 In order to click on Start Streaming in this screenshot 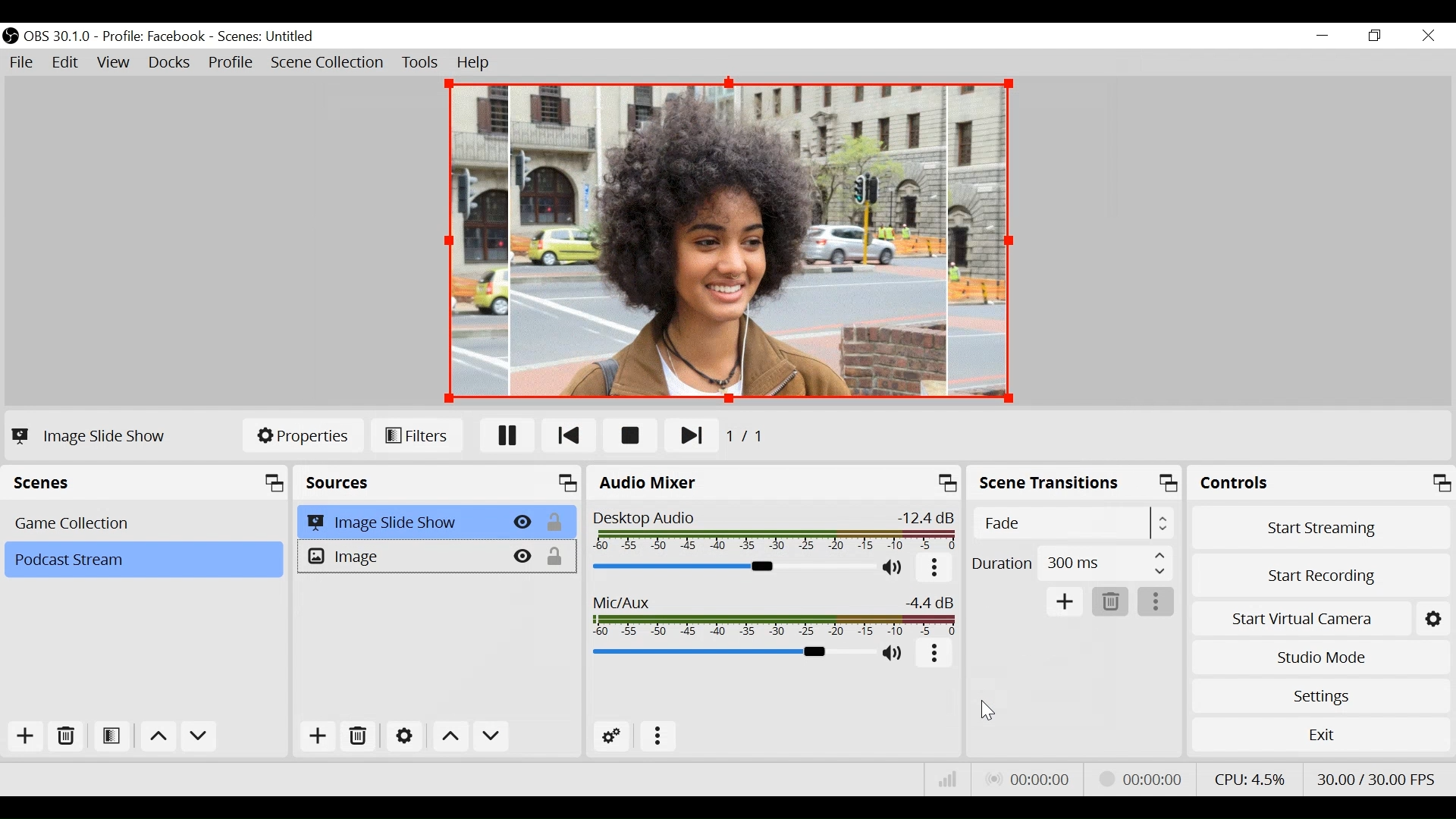, I will do `click(1322, 527)`.